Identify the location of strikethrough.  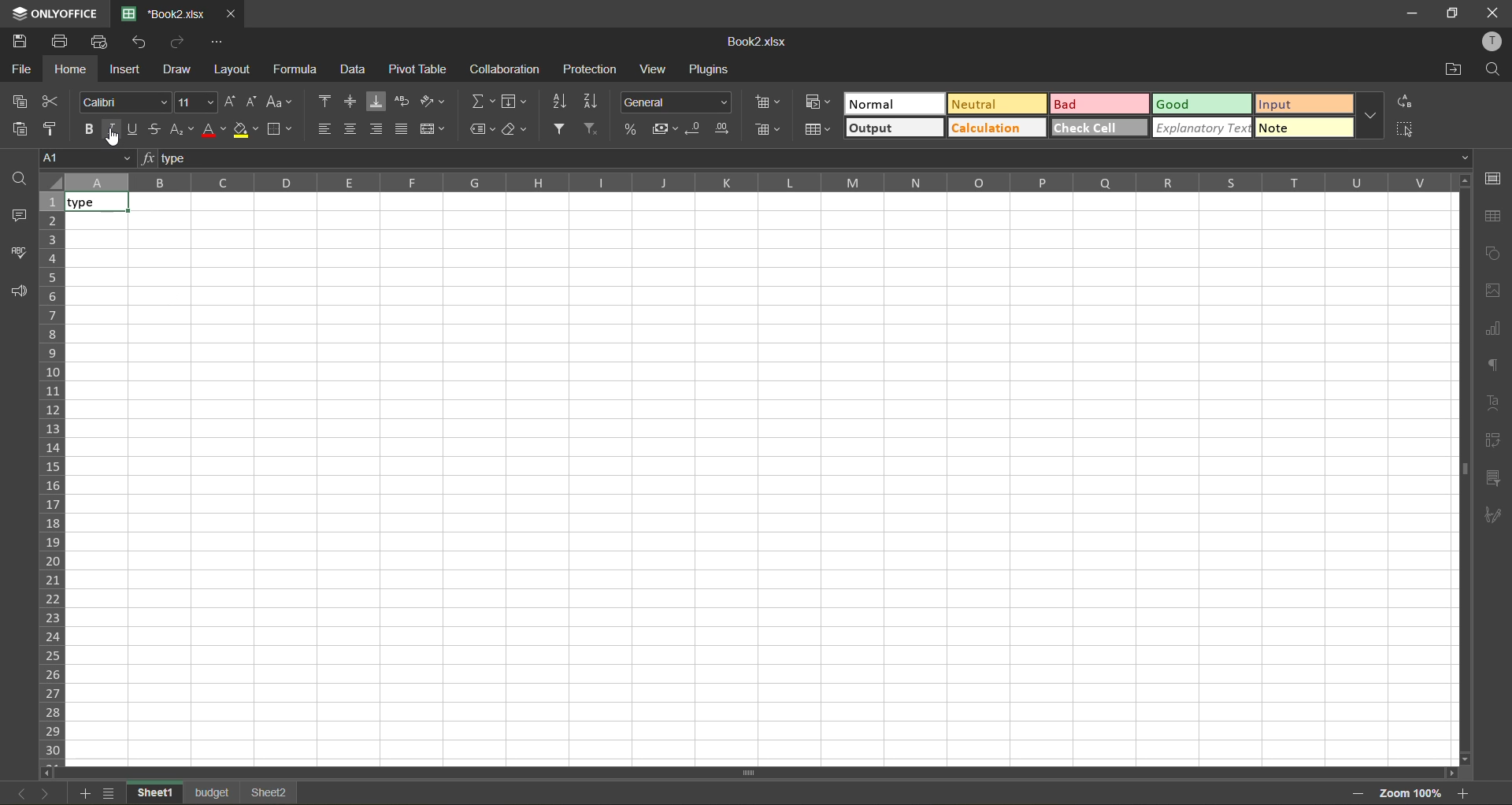
(156, 127).